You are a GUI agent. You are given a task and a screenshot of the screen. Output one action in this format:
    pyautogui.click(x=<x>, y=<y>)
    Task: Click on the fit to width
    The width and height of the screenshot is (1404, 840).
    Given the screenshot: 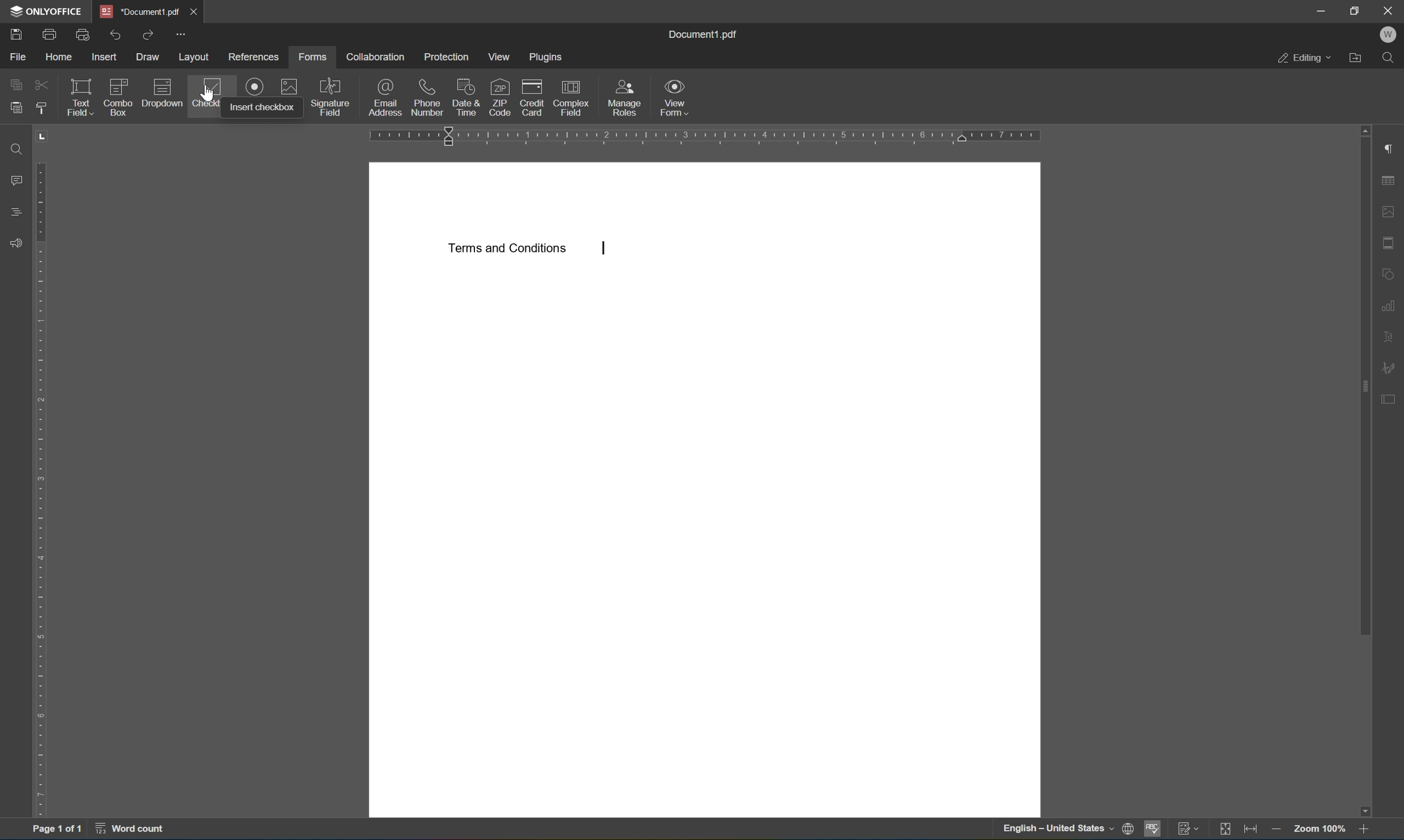 What is the action you would take?
    pyautogui.click(x=1249, y=830)
    